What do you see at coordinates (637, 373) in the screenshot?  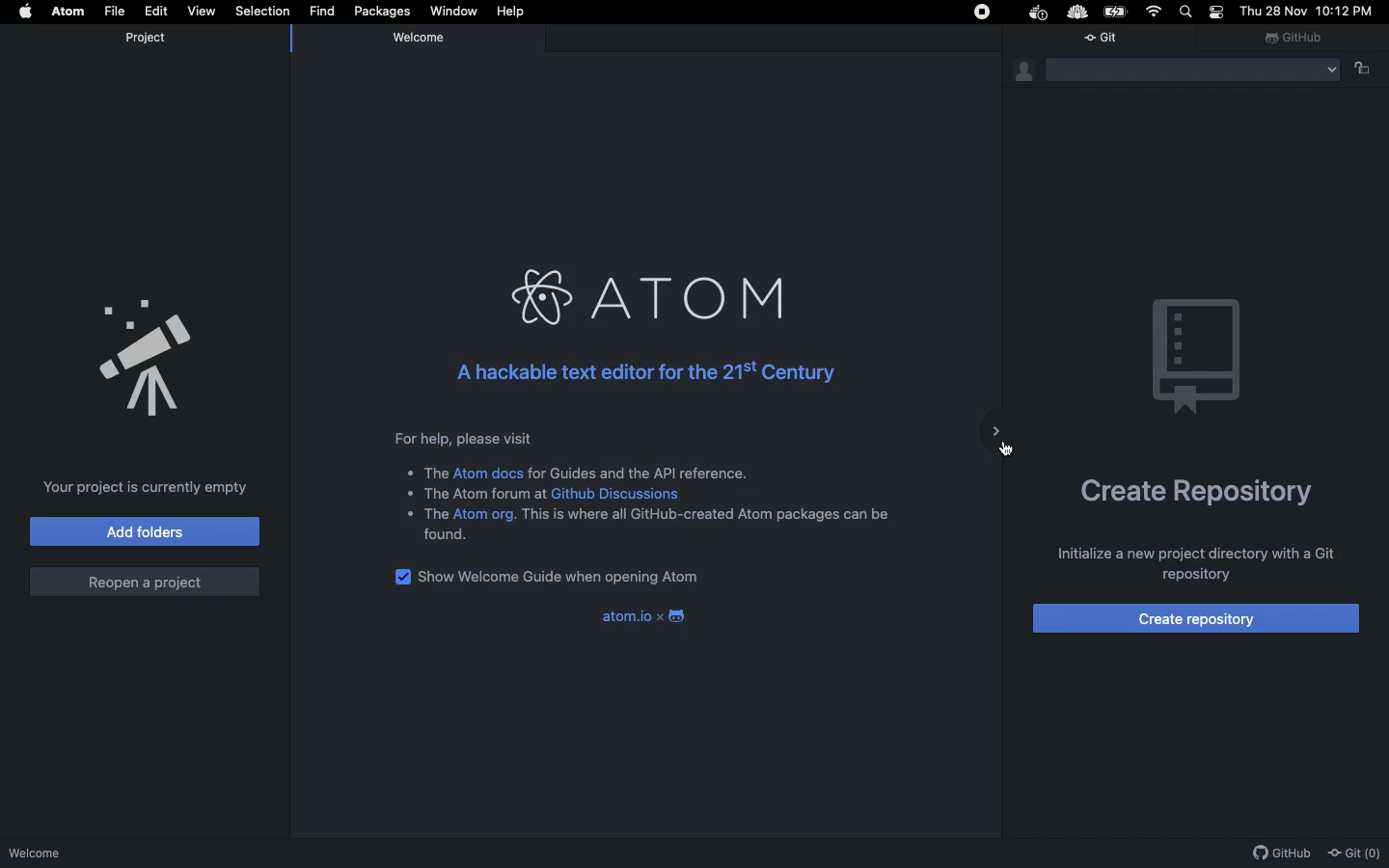 I see `A hackable text editor for the 21st Century` at bounding box center [637, 373].